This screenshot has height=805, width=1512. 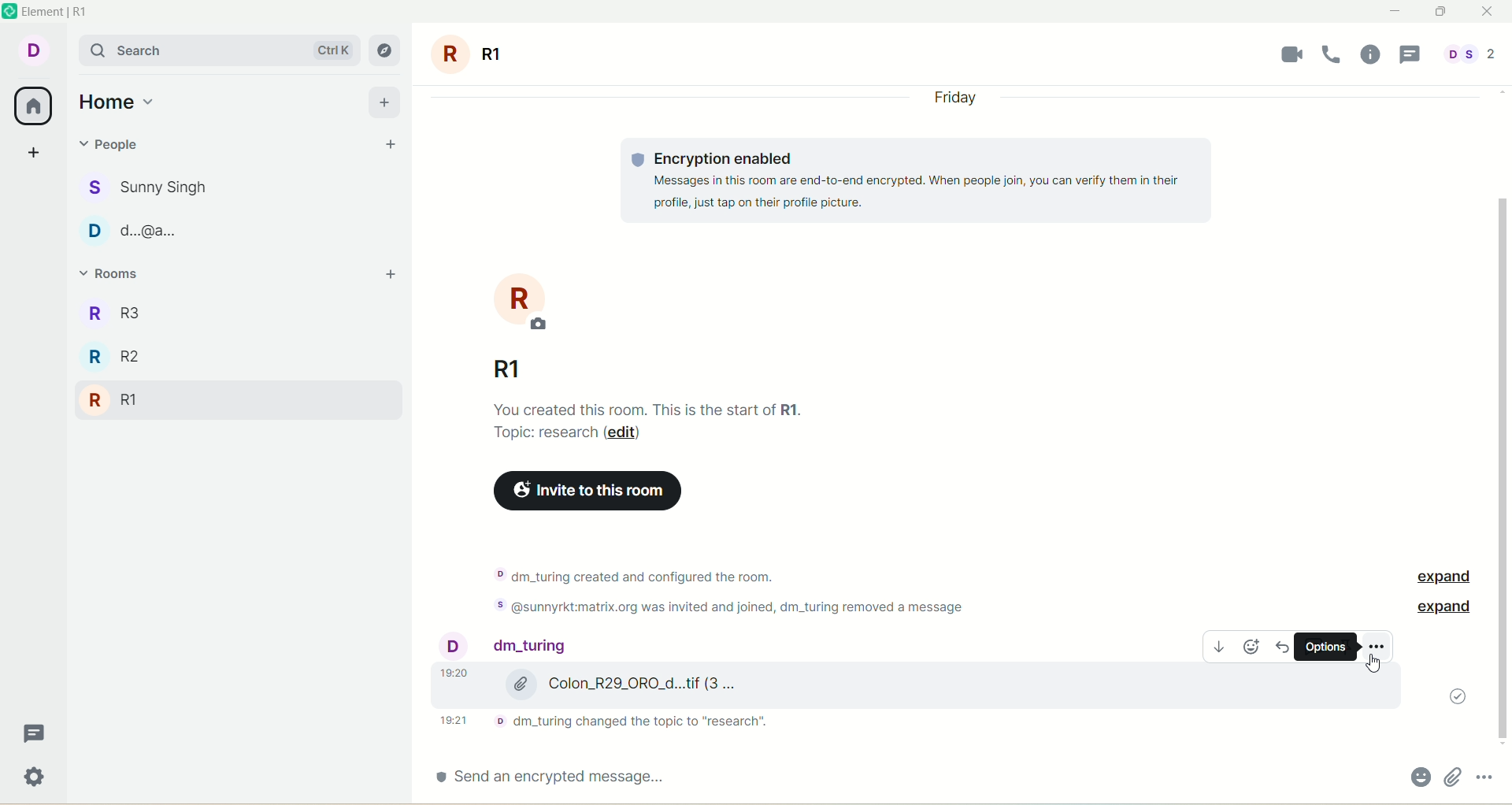 What do you see at coordinates (36, 149) in the screenshot?
I see `create a space` at bounding box center [36, 149].